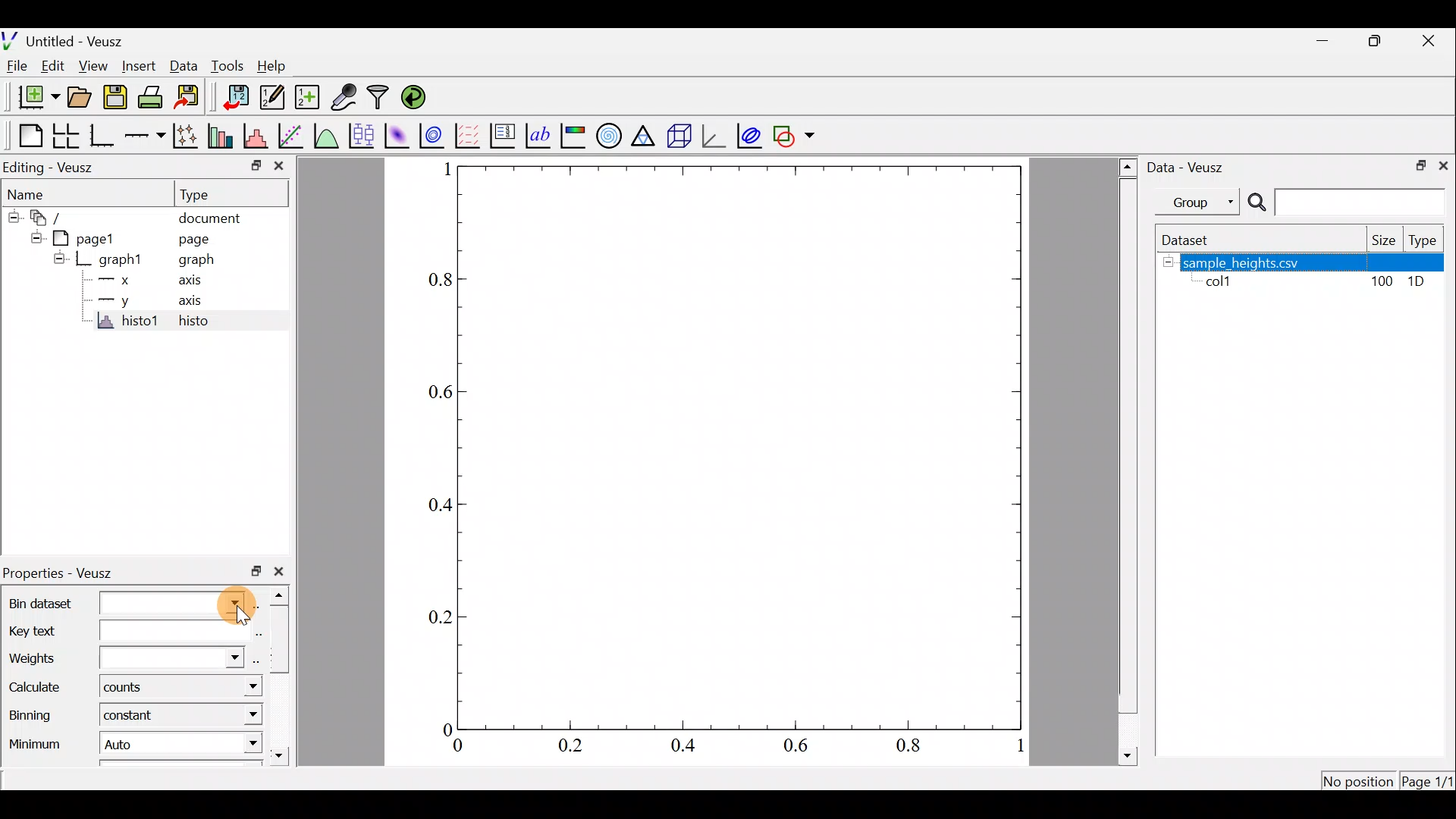 This screenshot has width=1456, height=819. I want to click on 1, so click(1010, 745).